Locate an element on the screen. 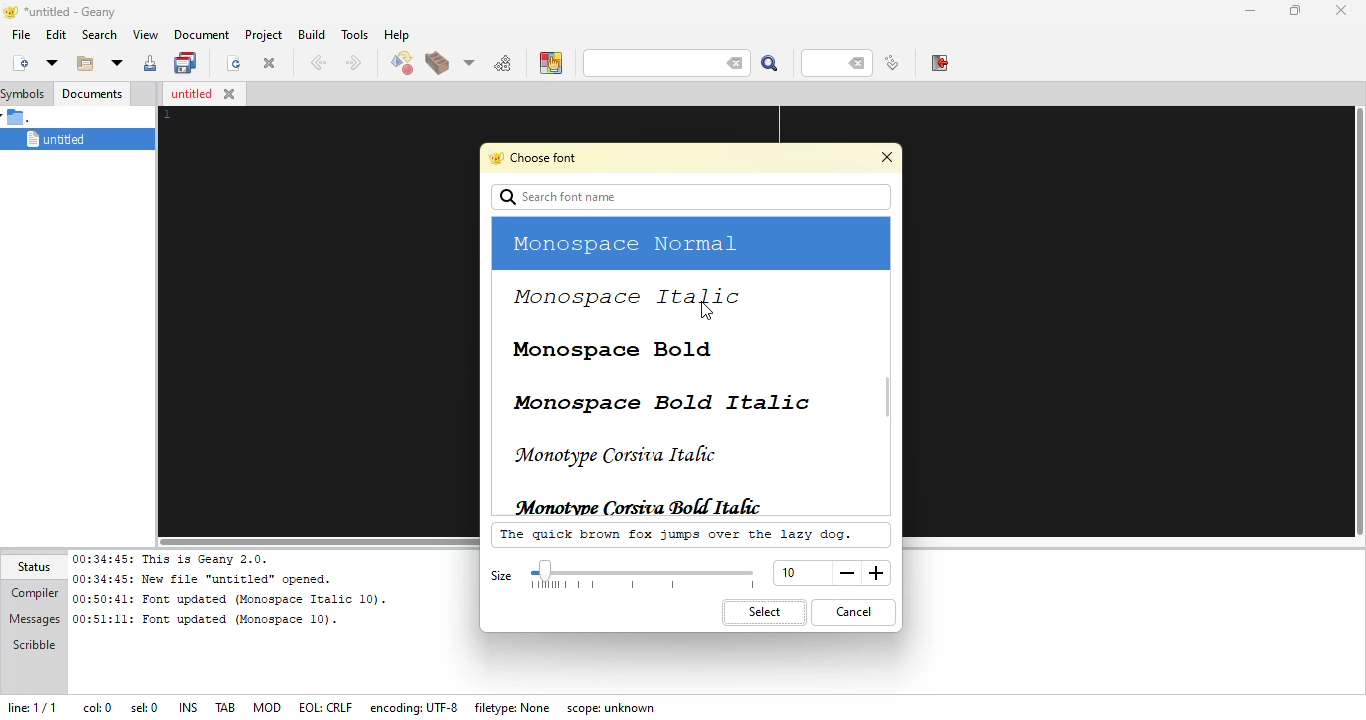 This screenshot has height=720, width=1366. new from template is located at coordinates (51, 62).